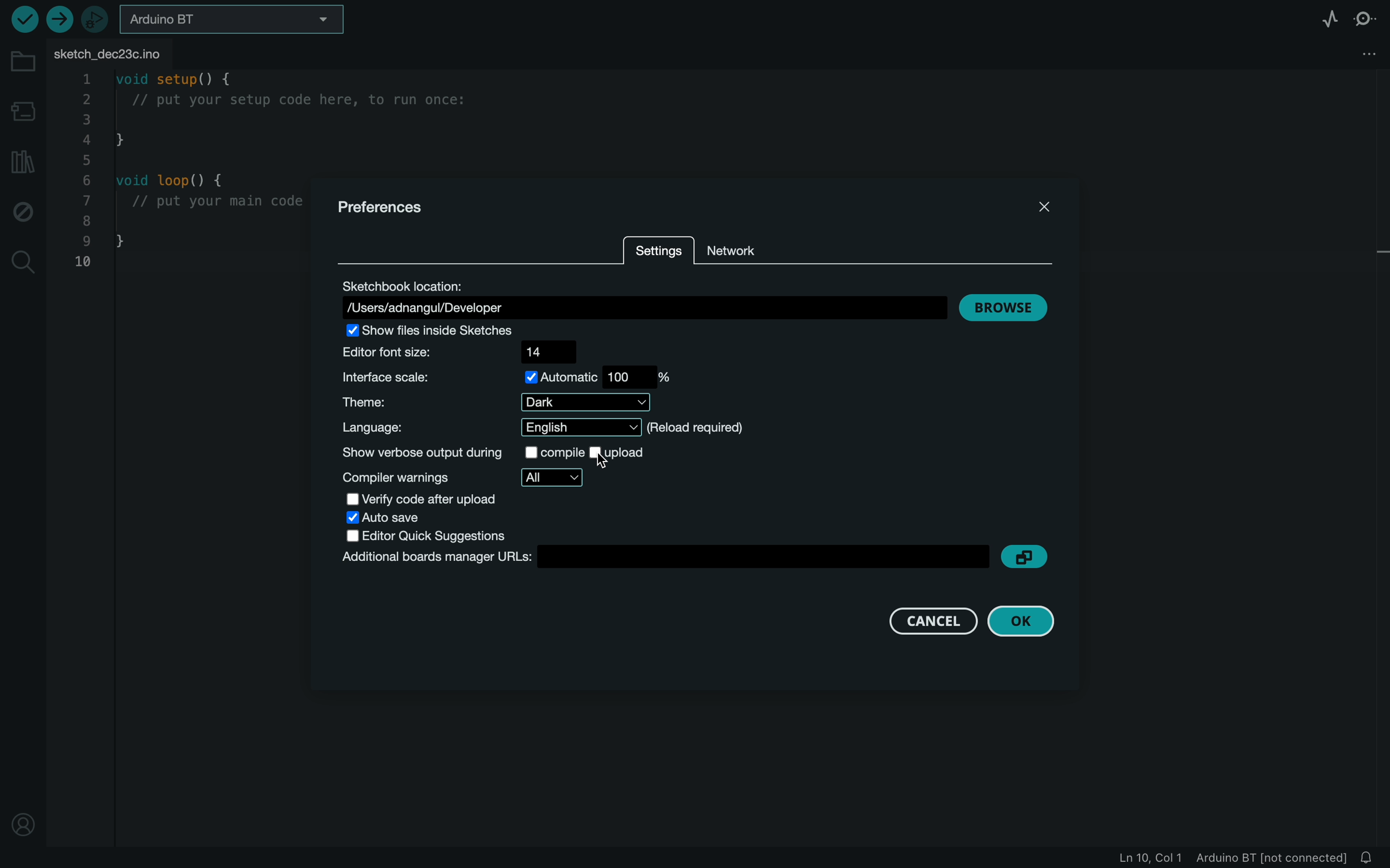  I want to click on show files, so click(442, 331).